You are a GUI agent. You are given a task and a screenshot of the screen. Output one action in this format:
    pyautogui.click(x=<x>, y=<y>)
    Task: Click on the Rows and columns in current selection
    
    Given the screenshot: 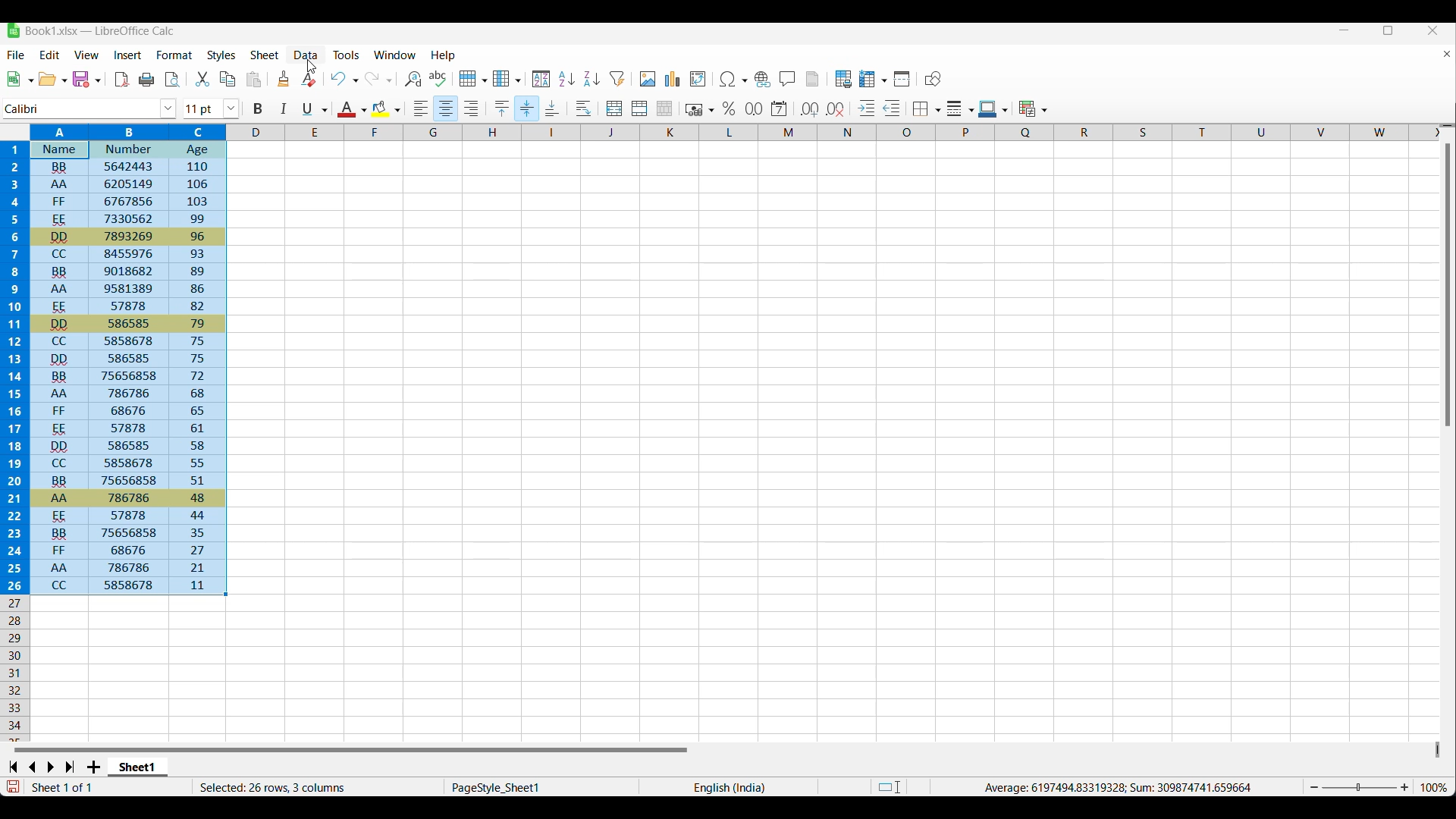 What is the action you would take?
    pyautogui.click(x=317, y=787)
    